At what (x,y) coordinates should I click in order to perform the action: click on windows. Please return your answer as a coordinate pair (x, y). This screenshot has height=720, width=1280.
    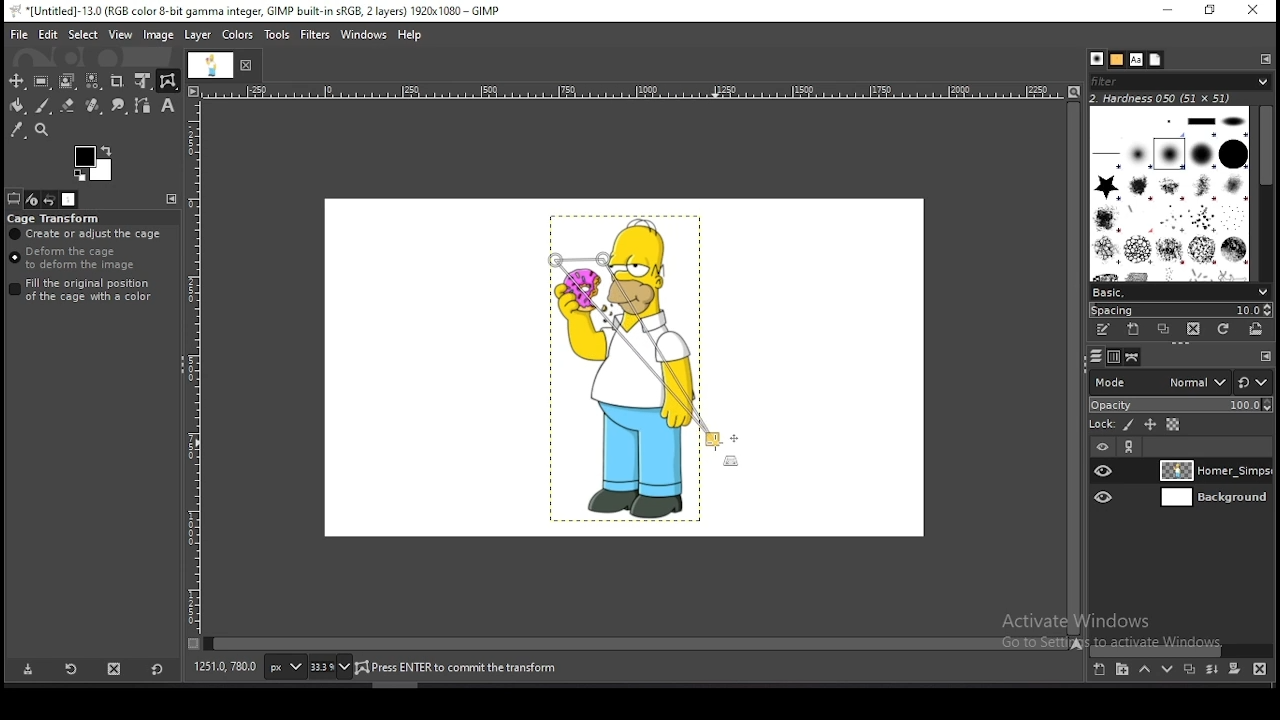
    Looking at the image, I should click on (364, 33).